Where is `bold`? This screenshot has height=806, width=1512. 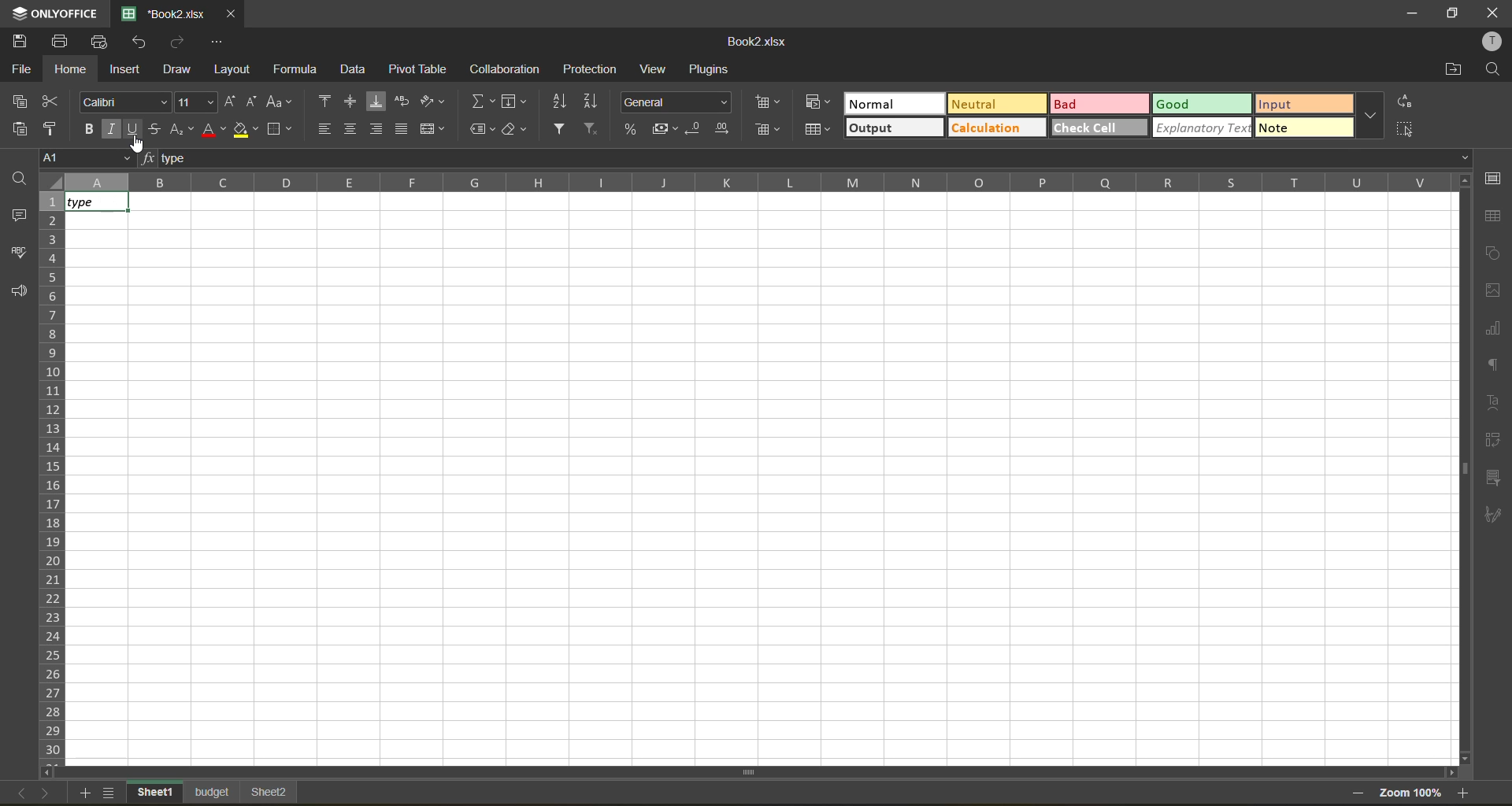
bold is located at coordinates (89, 130).